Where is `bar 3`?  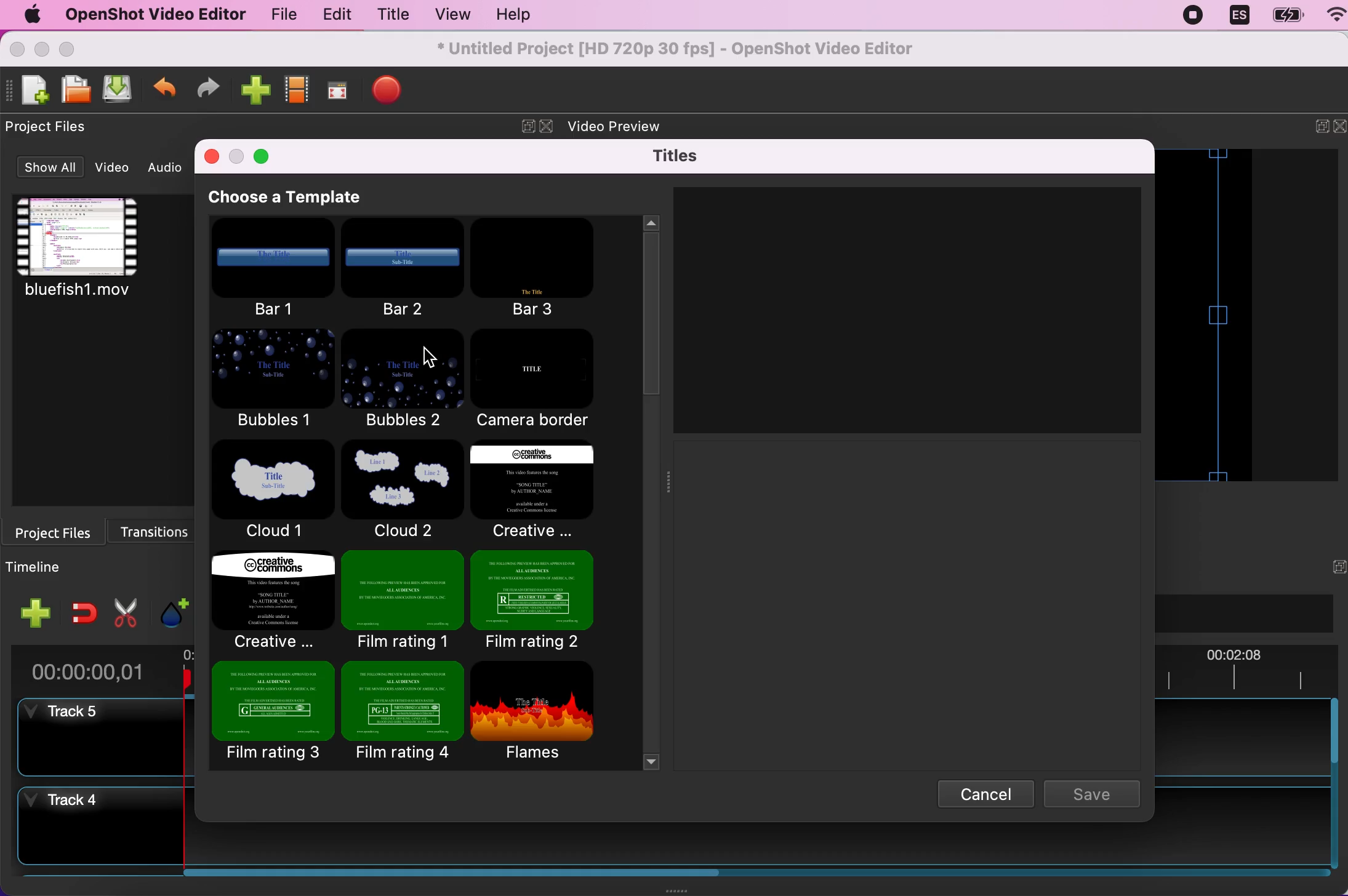 bar 3 is located at coordinates (539, 267).